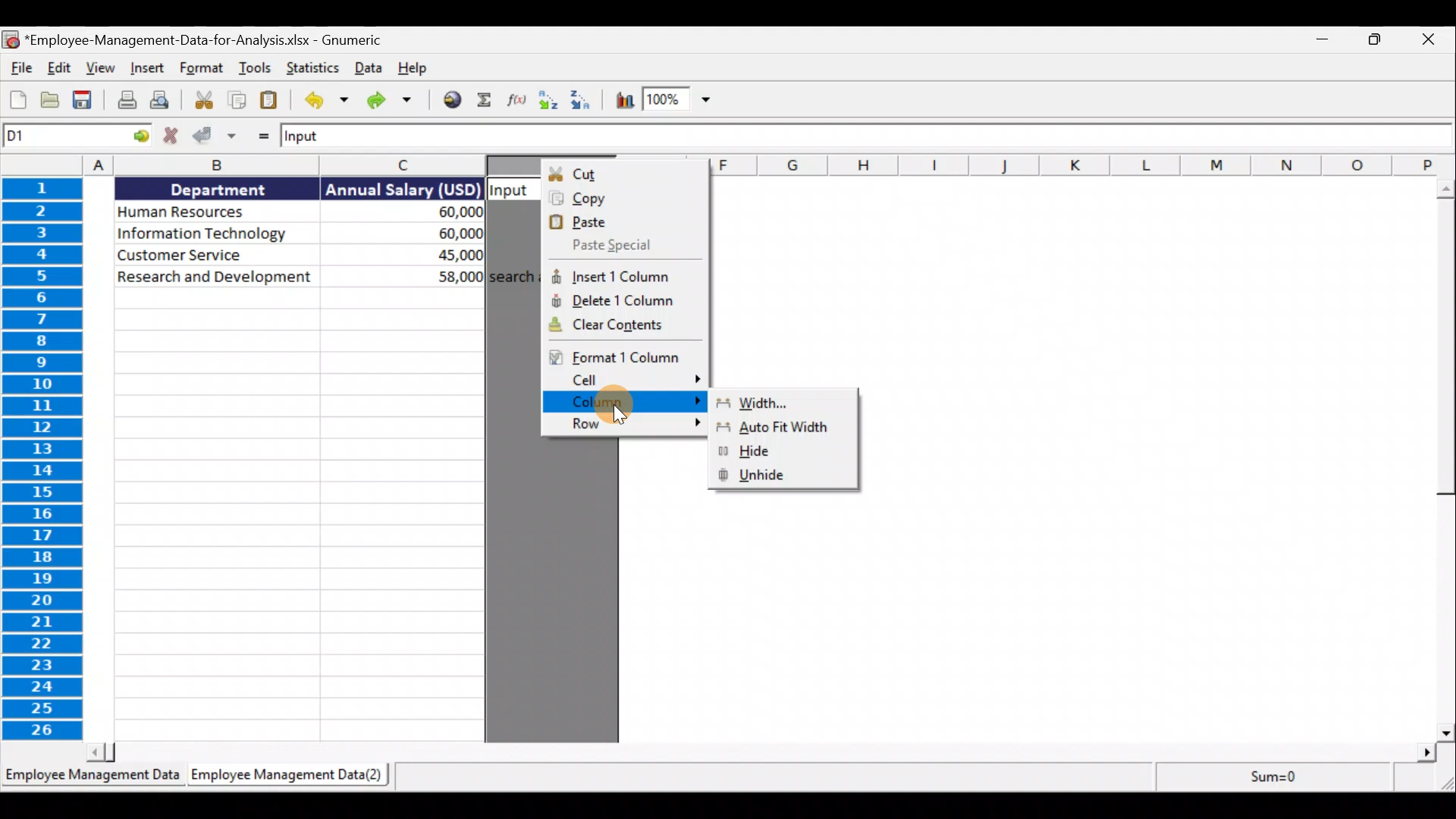 The image size is (1456, 819). I want to click on sum=0, so click(1305, 780).